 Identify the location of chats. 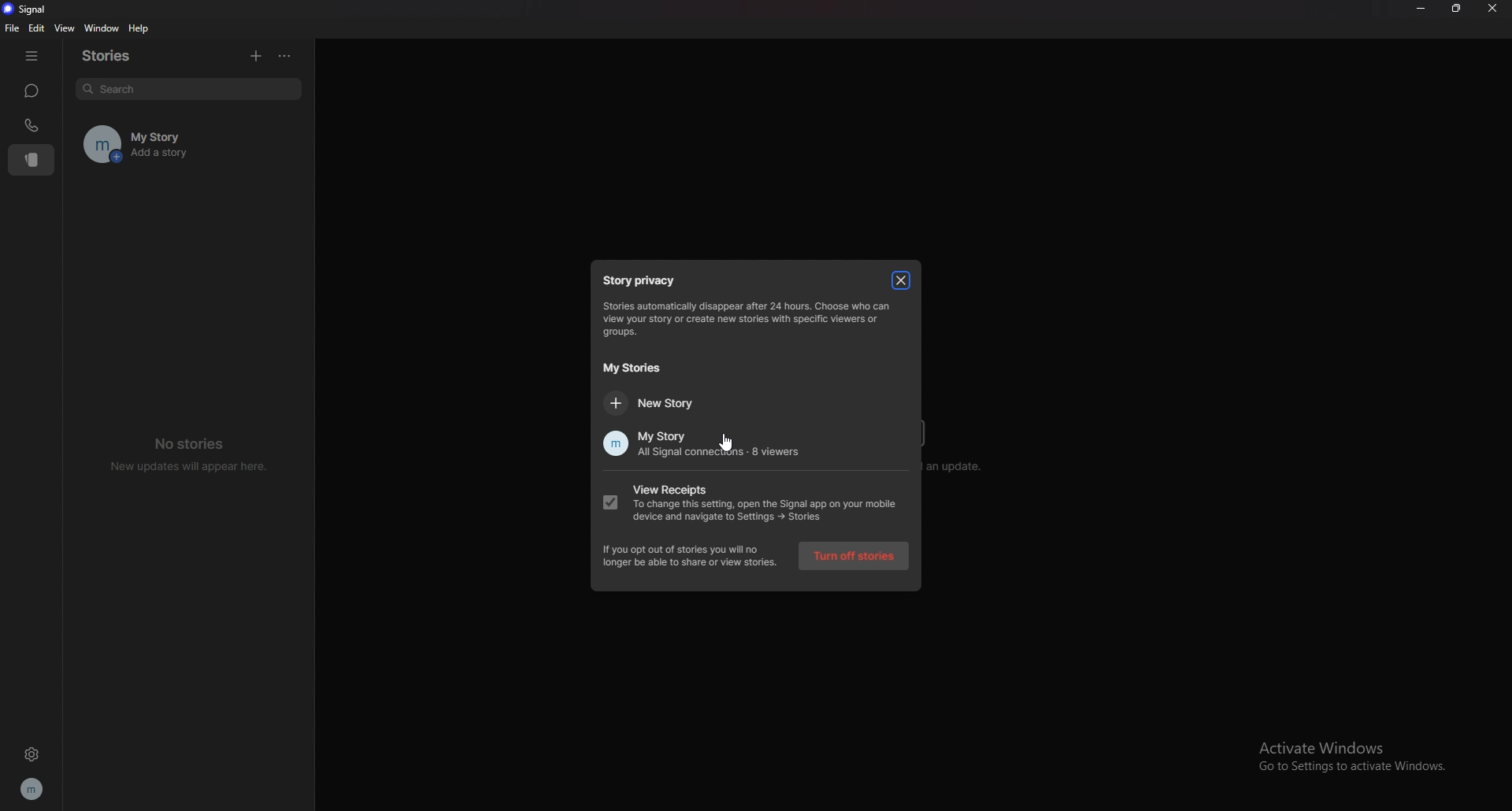
(32, 91).